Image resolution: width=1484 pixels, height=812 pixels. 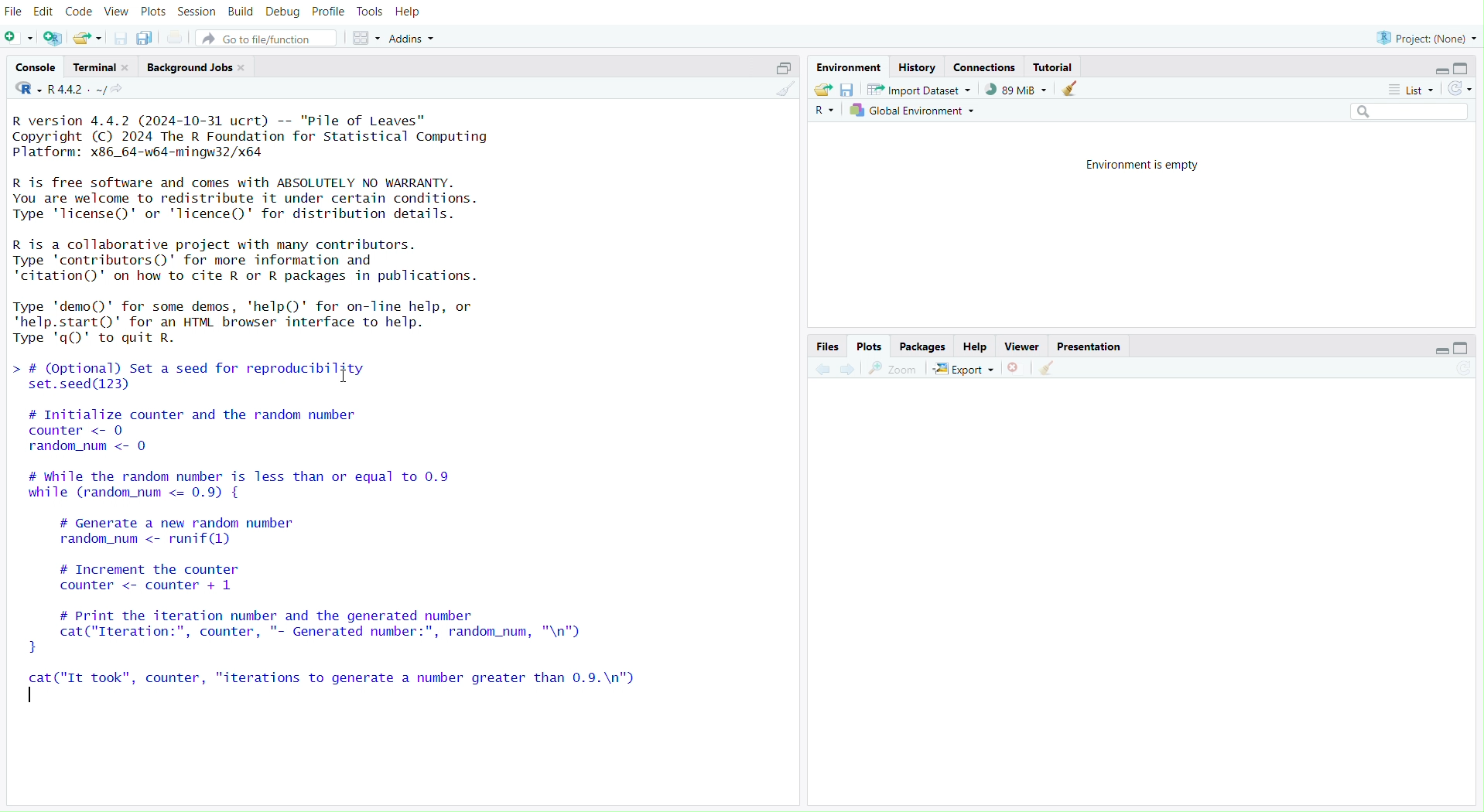 What do you see at coordinates (1458, 67) in the screenshot?
I see `Maximize` at bounding box center [1458, 67].